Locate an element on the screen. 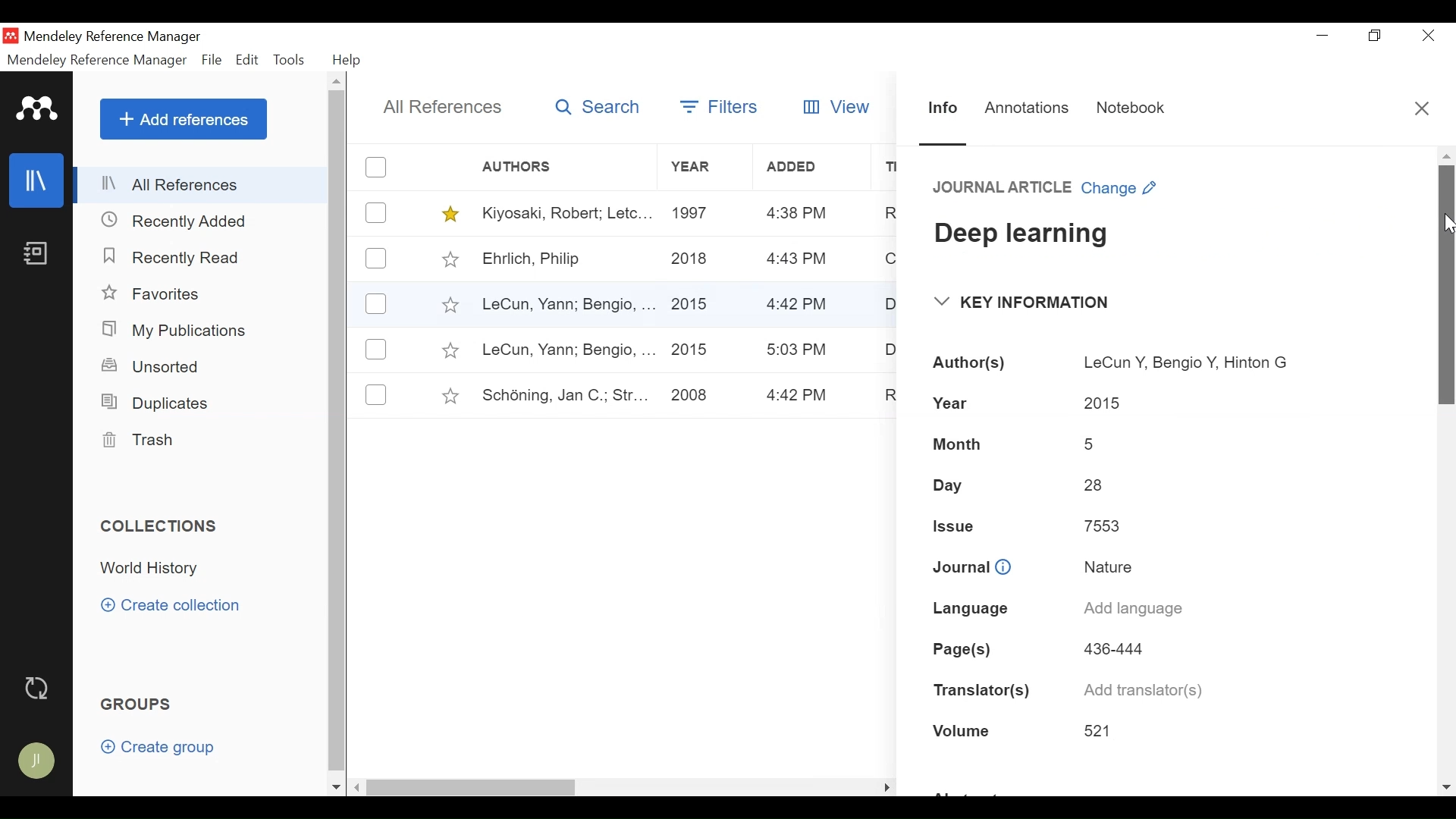  Month is located at coordinates (965, 445).